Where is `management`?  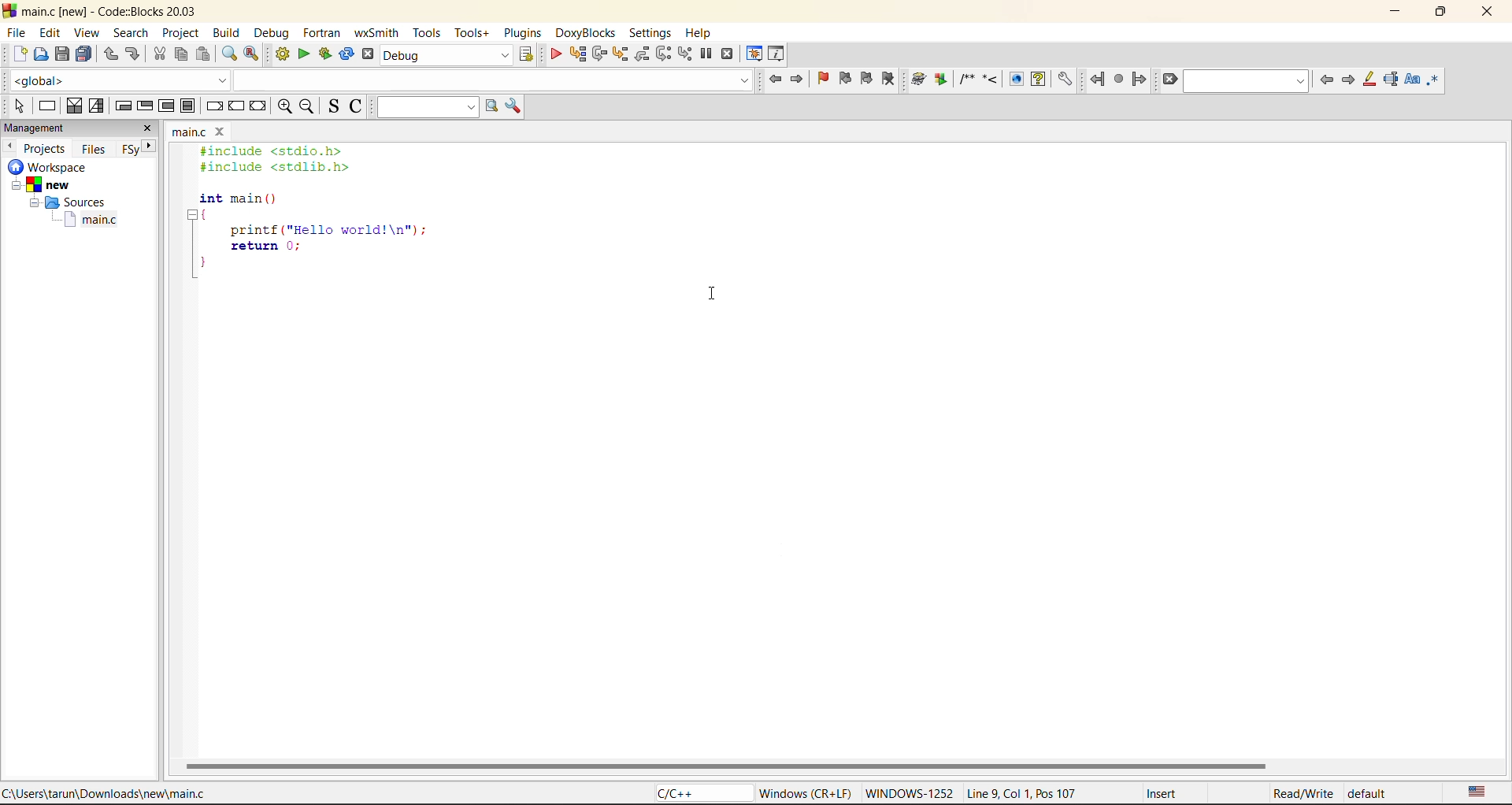
management is located at coordinates (37, 128).